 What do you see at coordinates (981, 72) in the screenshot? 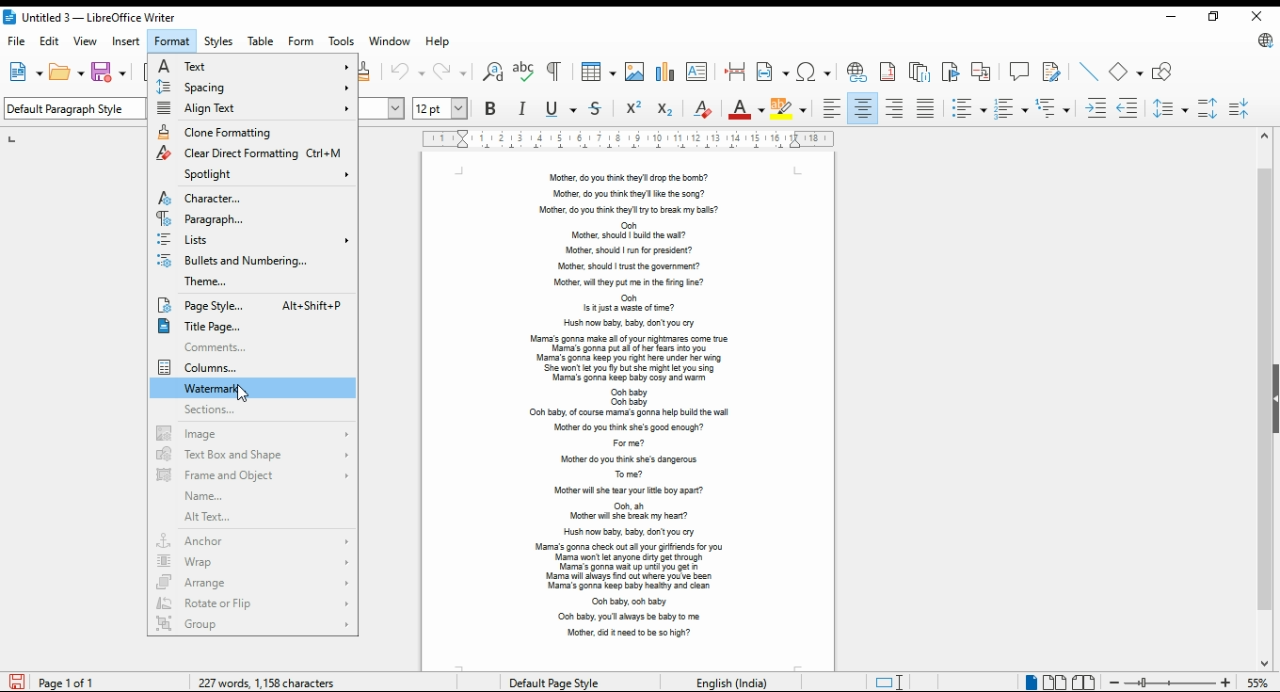
I see `insert cross-reference` at bounding box center [981, 72].